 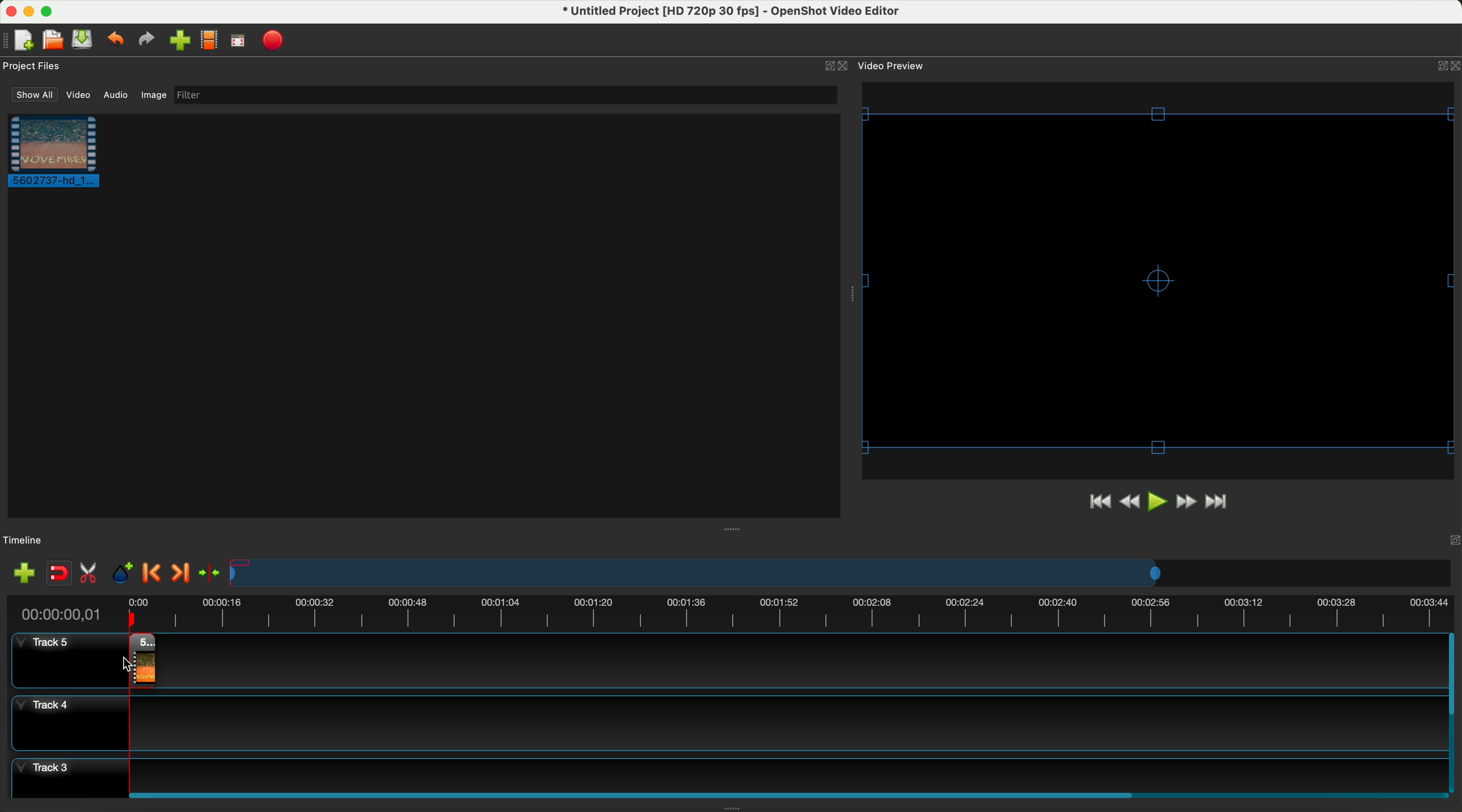 What do you see at coordinates (841, 572) in the screenshot?
I see `timeline` at bounding box center [841, 572].